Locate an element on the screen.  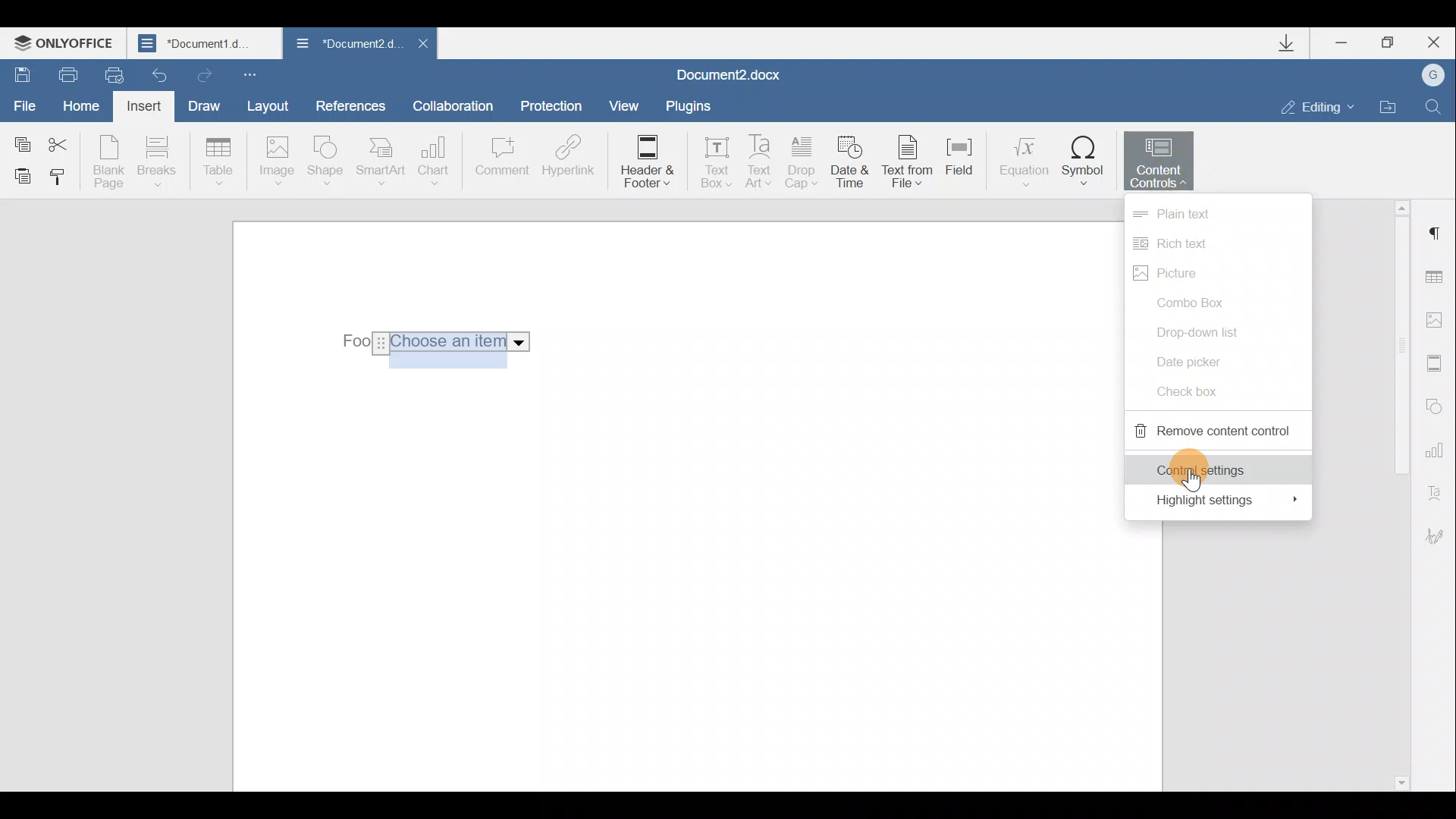
Editing mode is located at coordinates (1318, 106).